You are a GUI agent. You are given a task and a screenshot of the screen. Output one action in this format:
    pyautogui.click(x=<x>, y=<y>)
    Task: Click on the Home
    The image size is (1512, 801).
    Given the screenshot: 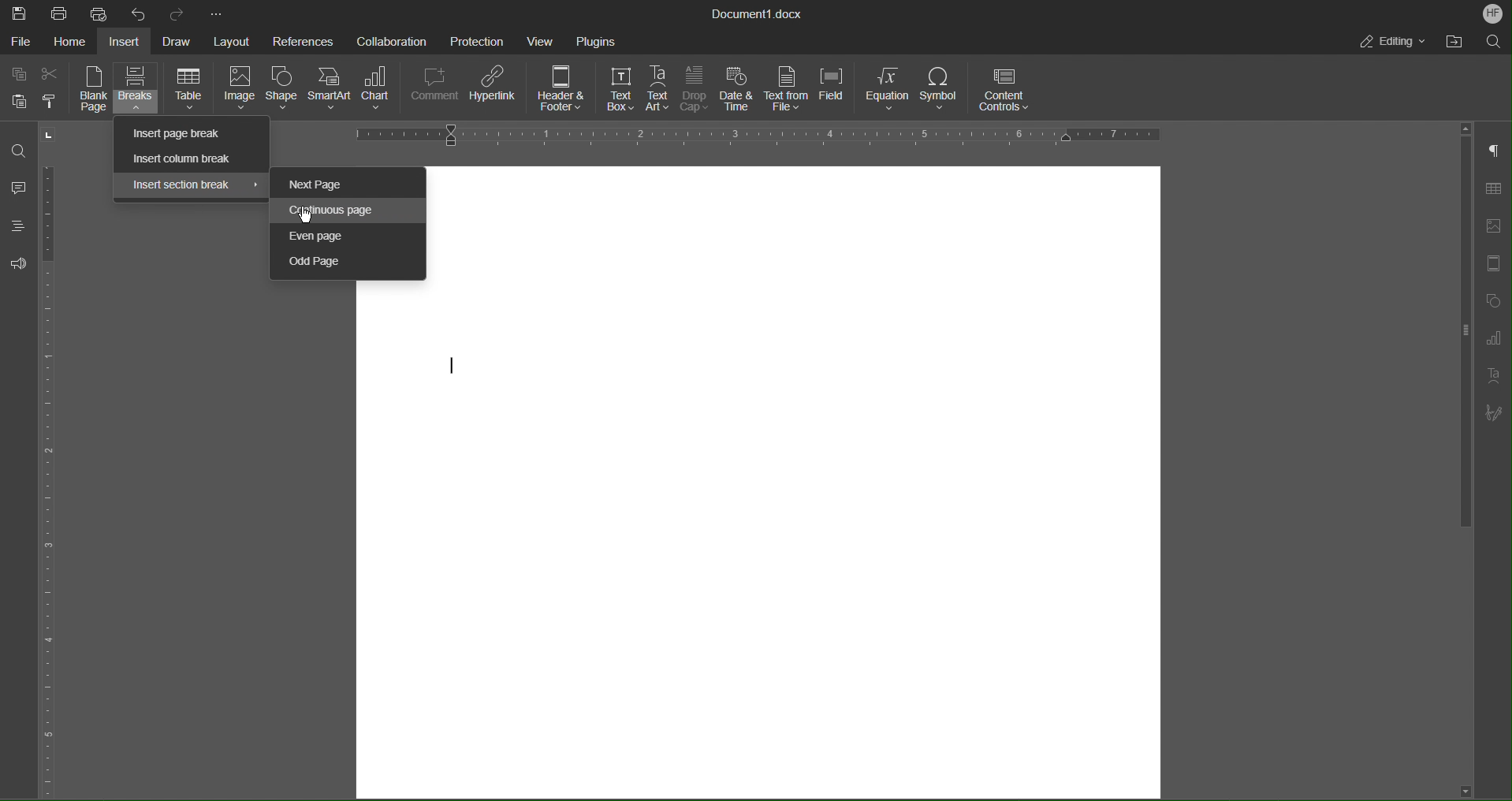 What is the action you would take?
    pyautogui.click(x=69, y=39)
    